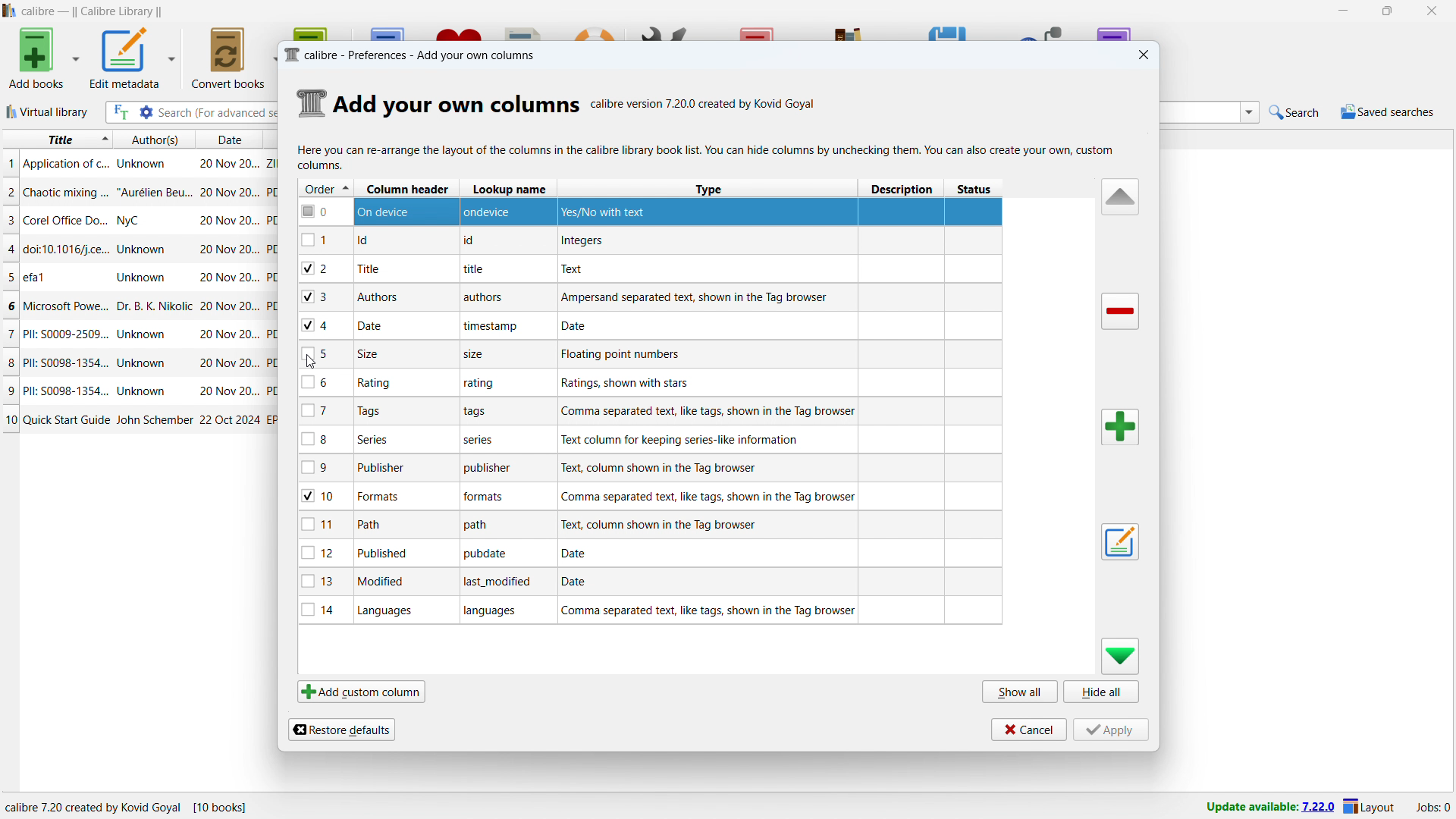 The width and height of the screenshot is (1456, 819). I want to click on date, so click(229, 221).